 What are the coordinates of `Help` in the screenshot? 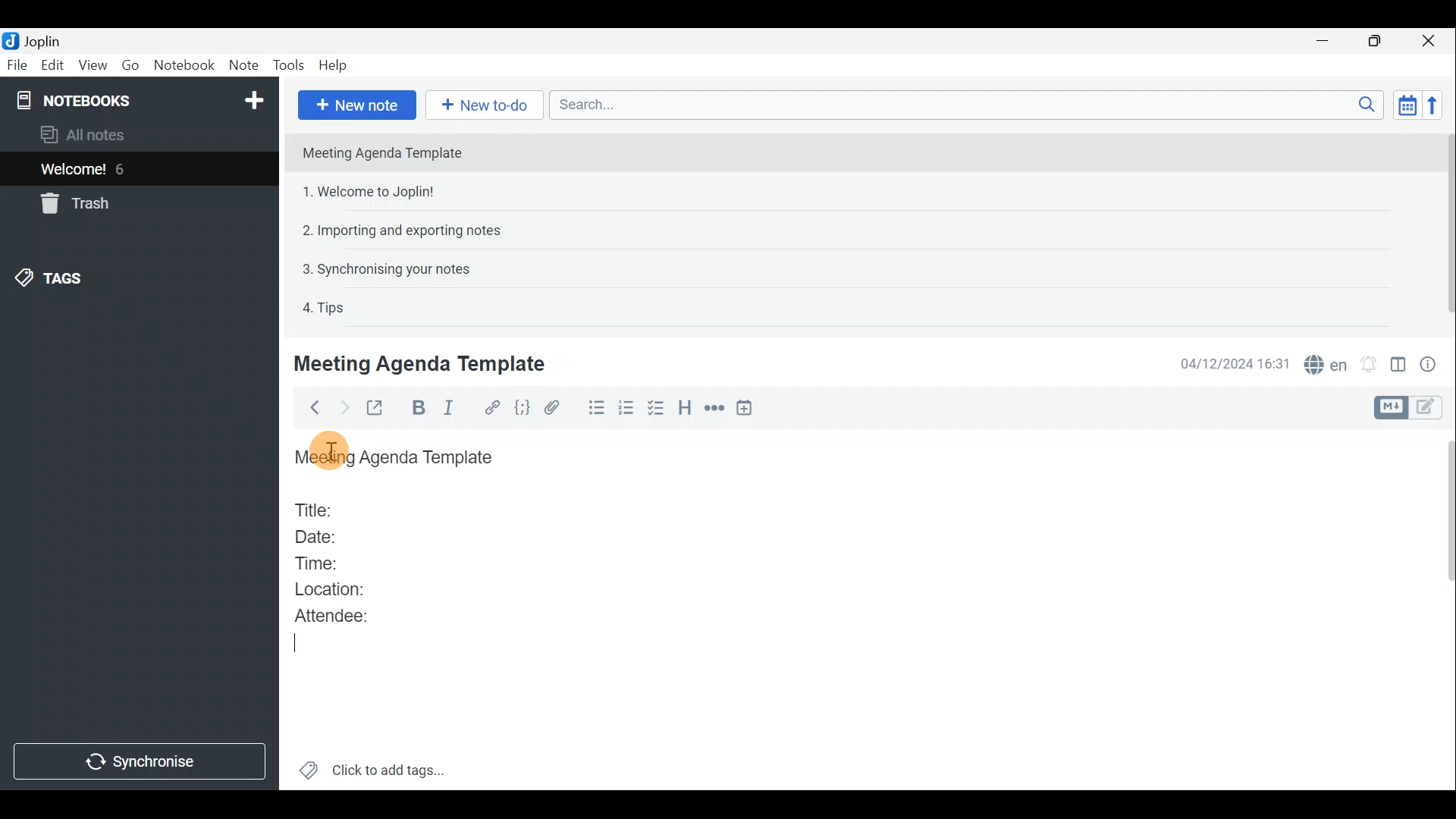 It's located at (336, 65).